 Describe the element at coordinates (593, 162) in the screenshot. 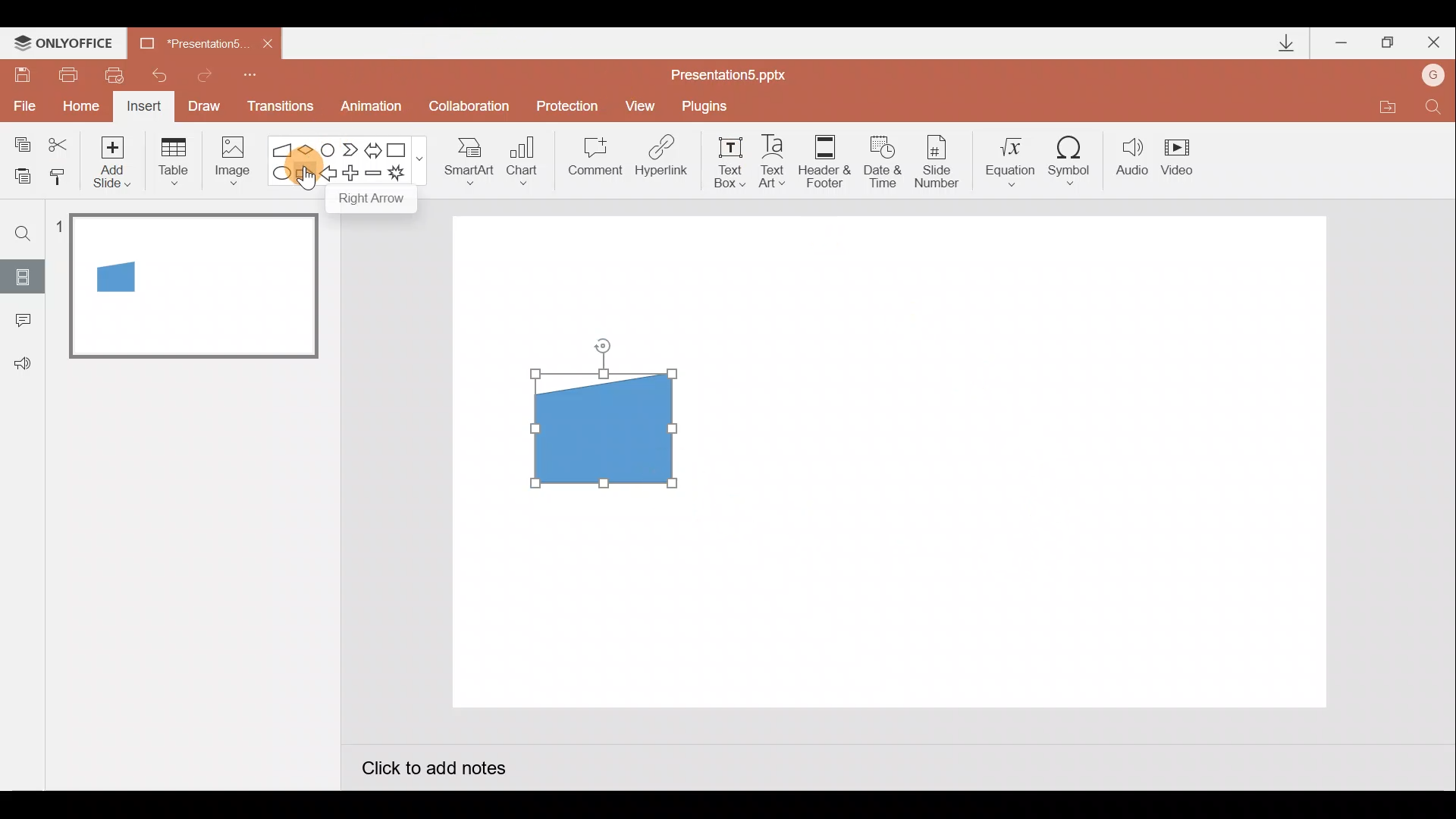

I see `Comment` at that location.